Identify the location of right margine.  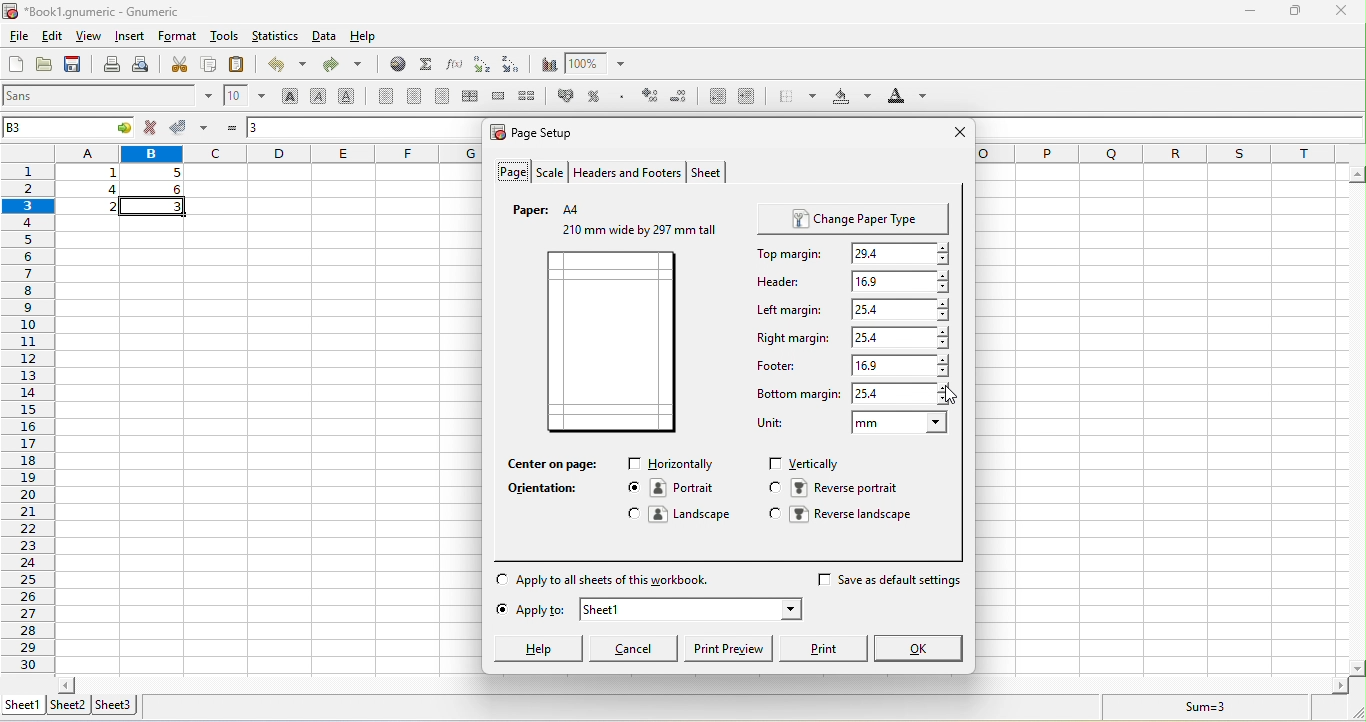
(789, 334).